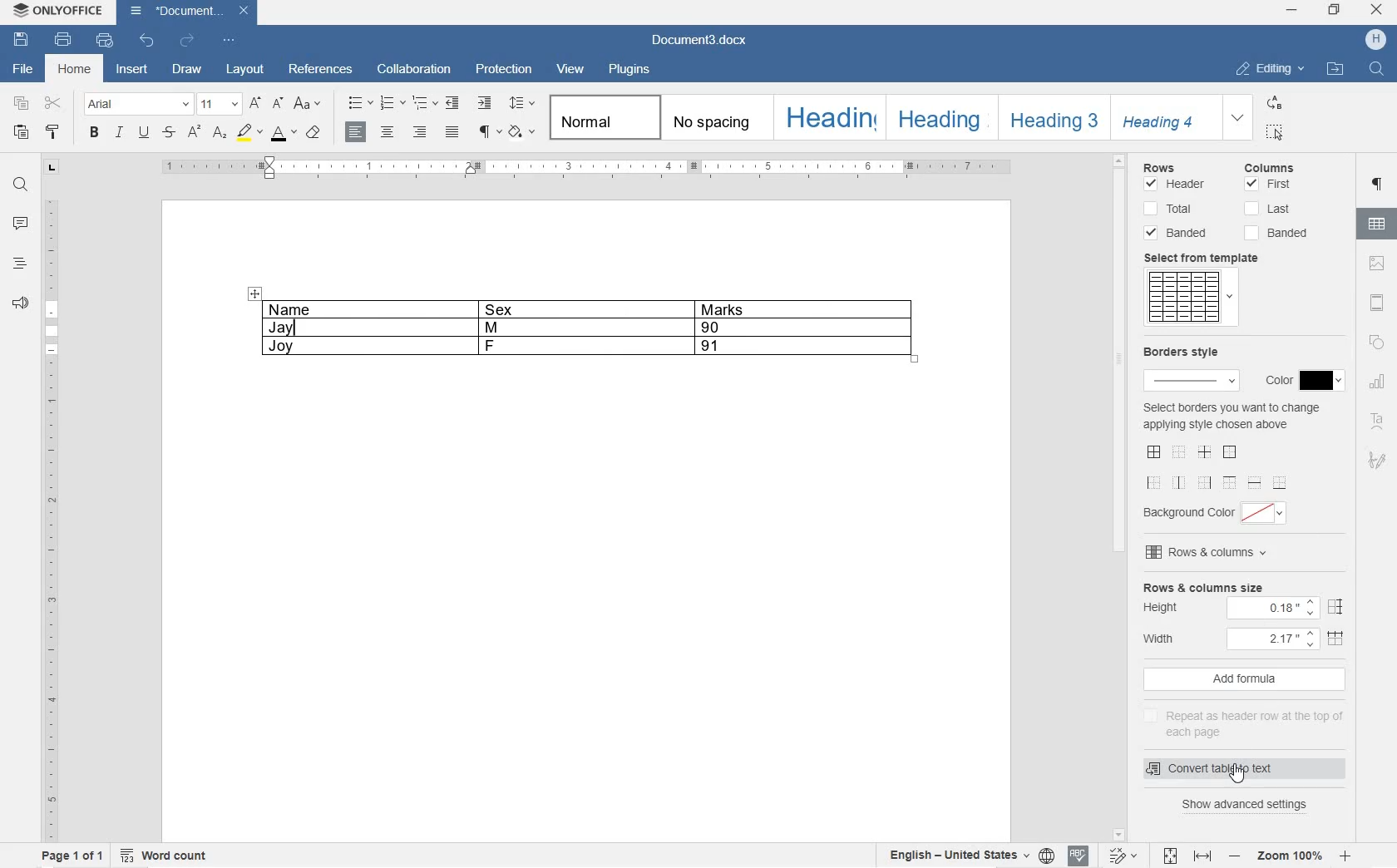  What do you see at coordinates (168, 134) in the screenshot?
I see `STRIKETHROUGH` at bounding box center [168, 134].